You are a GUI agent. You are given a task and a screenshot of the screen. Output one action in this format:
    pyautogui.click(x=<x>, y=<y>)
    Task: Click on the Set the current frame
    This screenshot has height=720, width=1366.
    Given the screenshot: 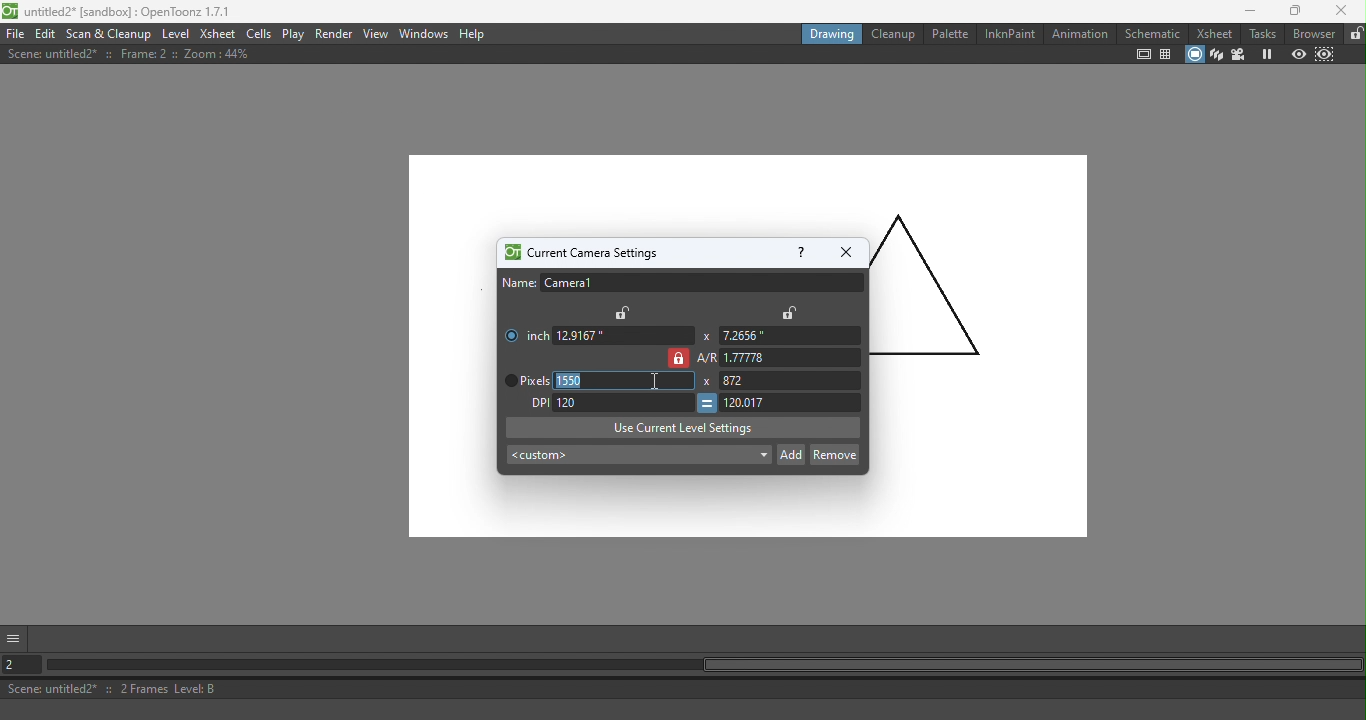 What is the action you would take?
    pyautogui.click(x=23, y=663)
    